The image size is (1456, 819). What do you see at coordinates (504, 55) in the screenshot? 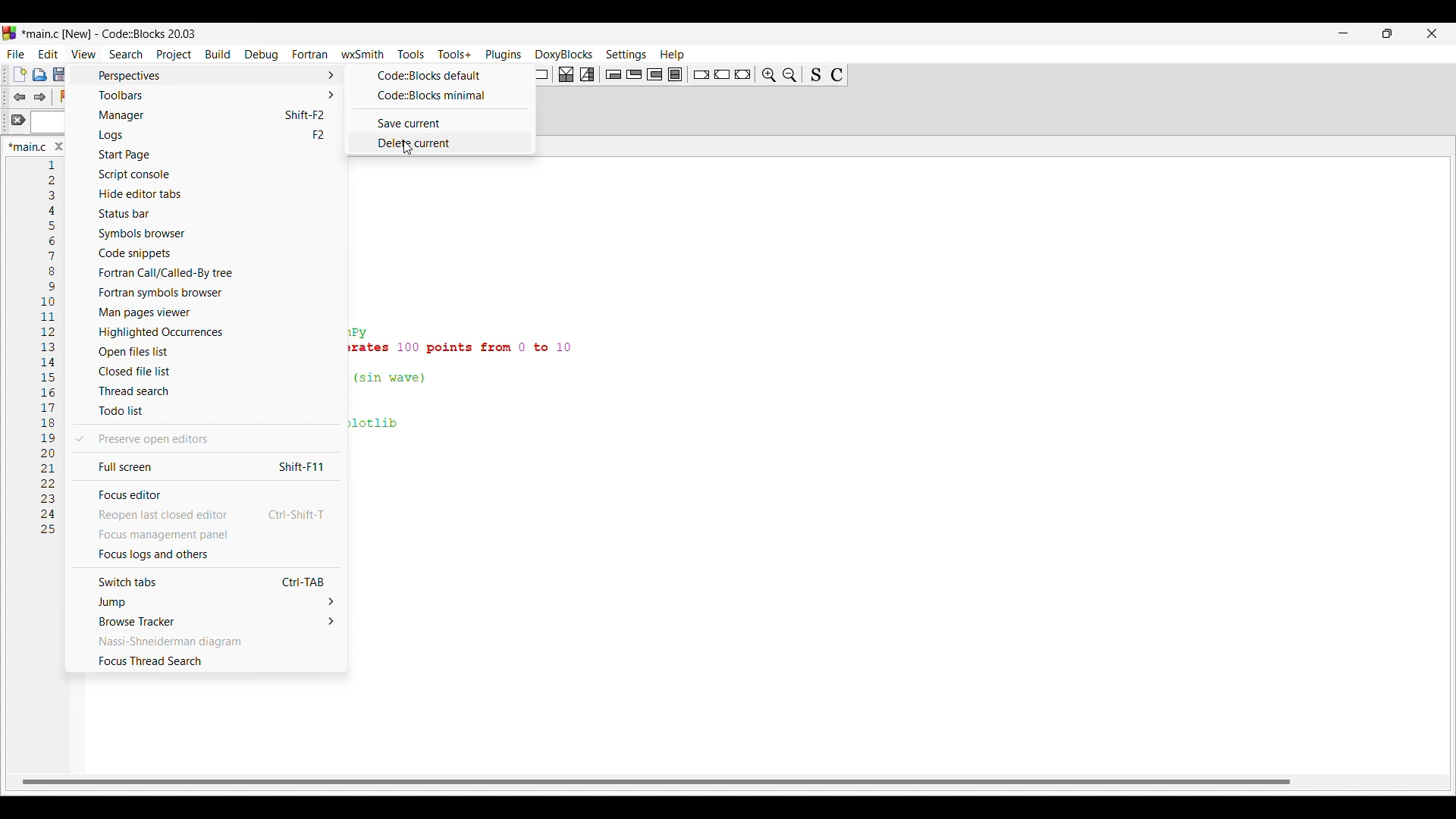
I see `Plugins menu` at bounding box center [504, 55].